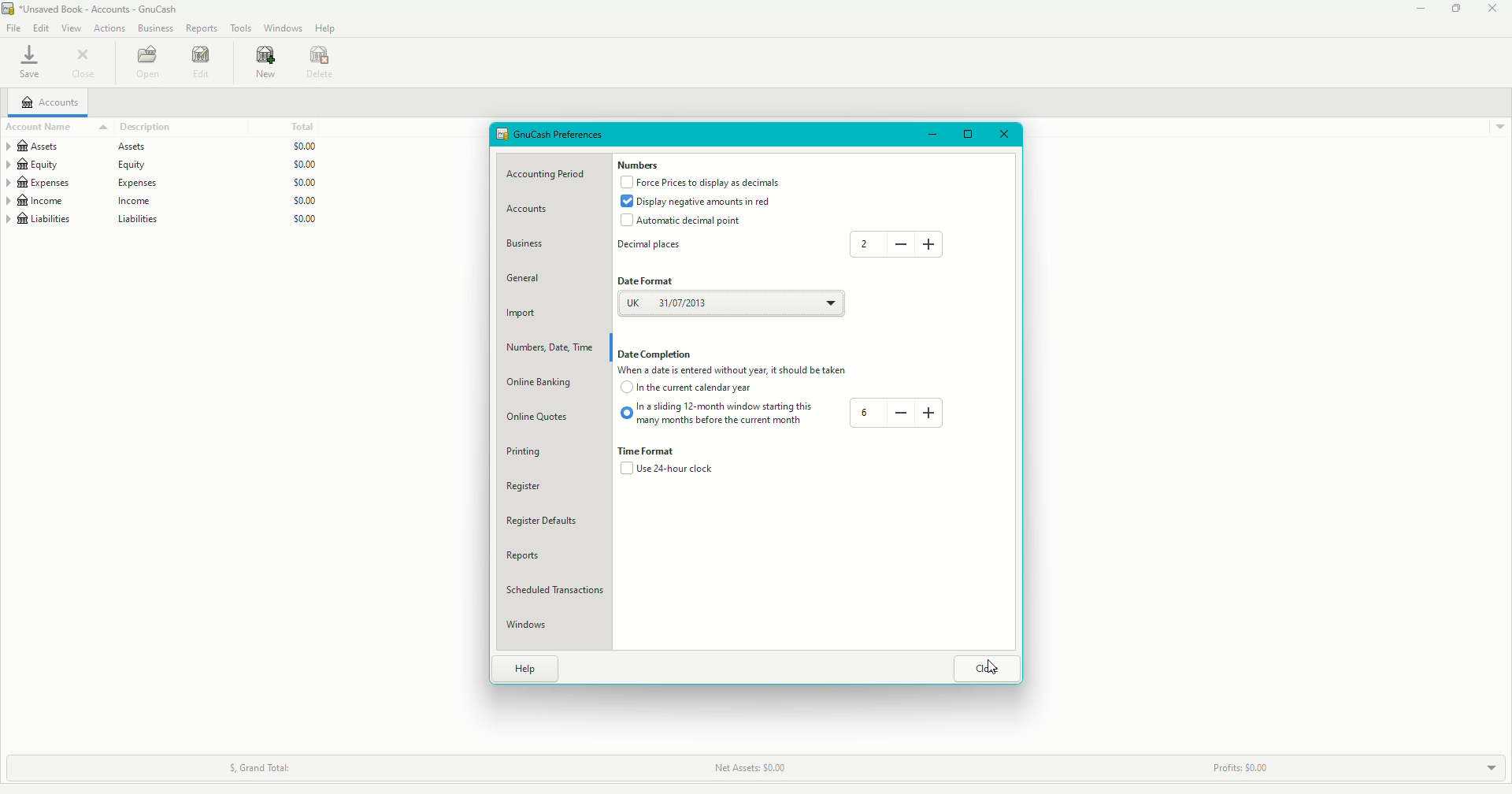 The height and width of the screenshot is (794, 1512). I want to click on Register, so click(535, 487).